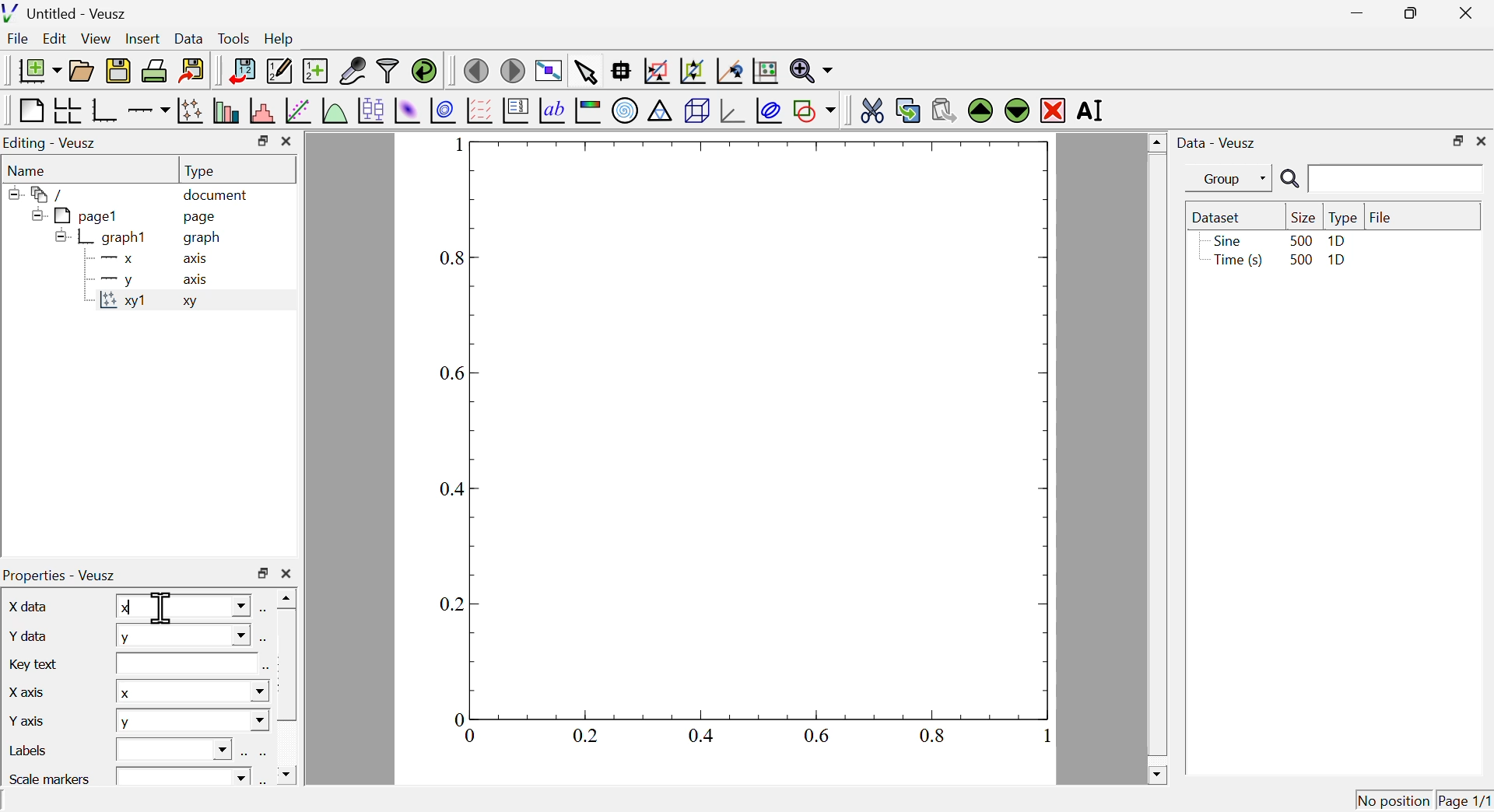 This screenshot has width=1494, height=812. I want to click on blank page, so click(30, 110).